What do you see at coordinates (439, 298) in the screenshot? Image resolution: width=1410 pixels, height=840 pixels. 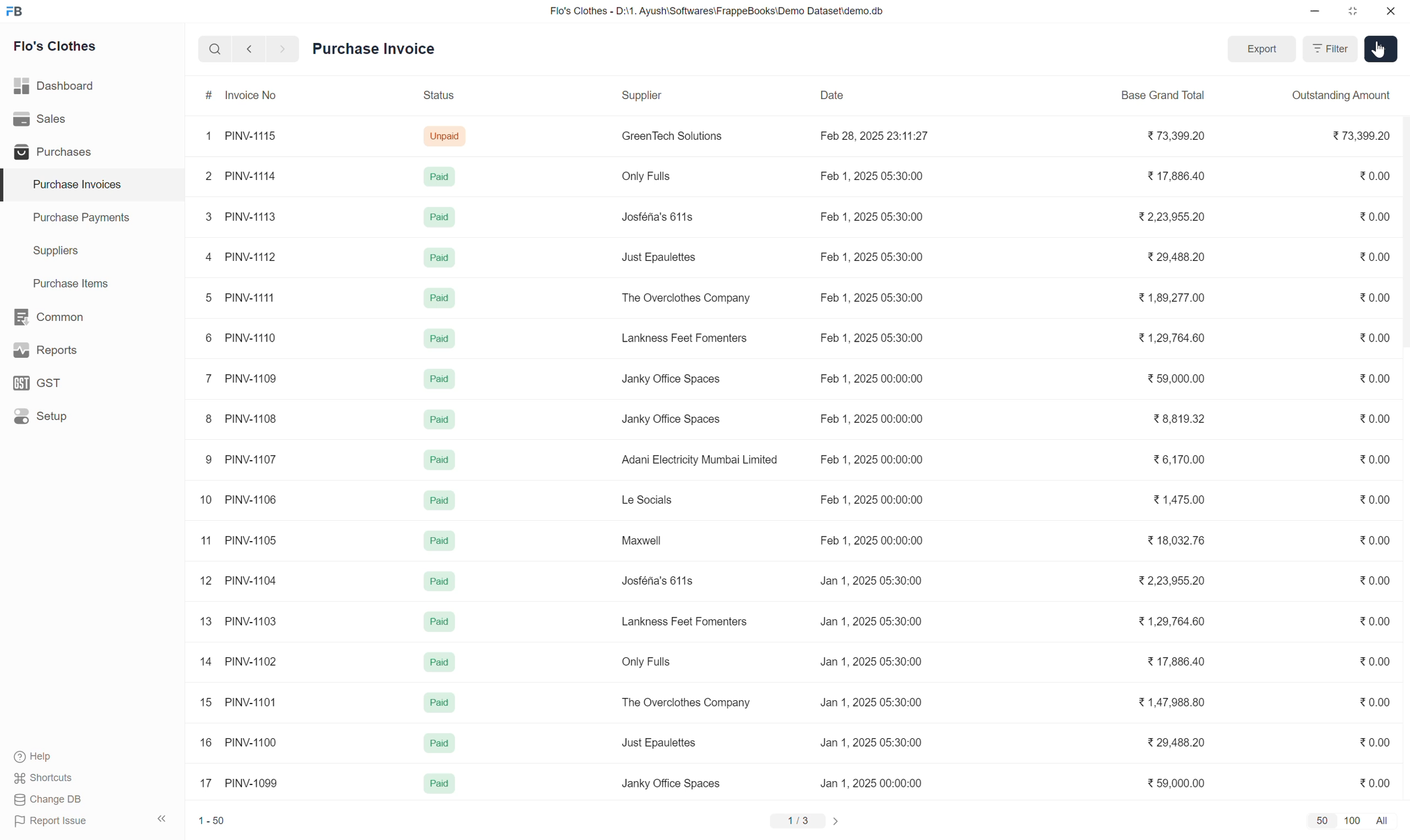 I see `Paid` at bounding box center [439, 298].